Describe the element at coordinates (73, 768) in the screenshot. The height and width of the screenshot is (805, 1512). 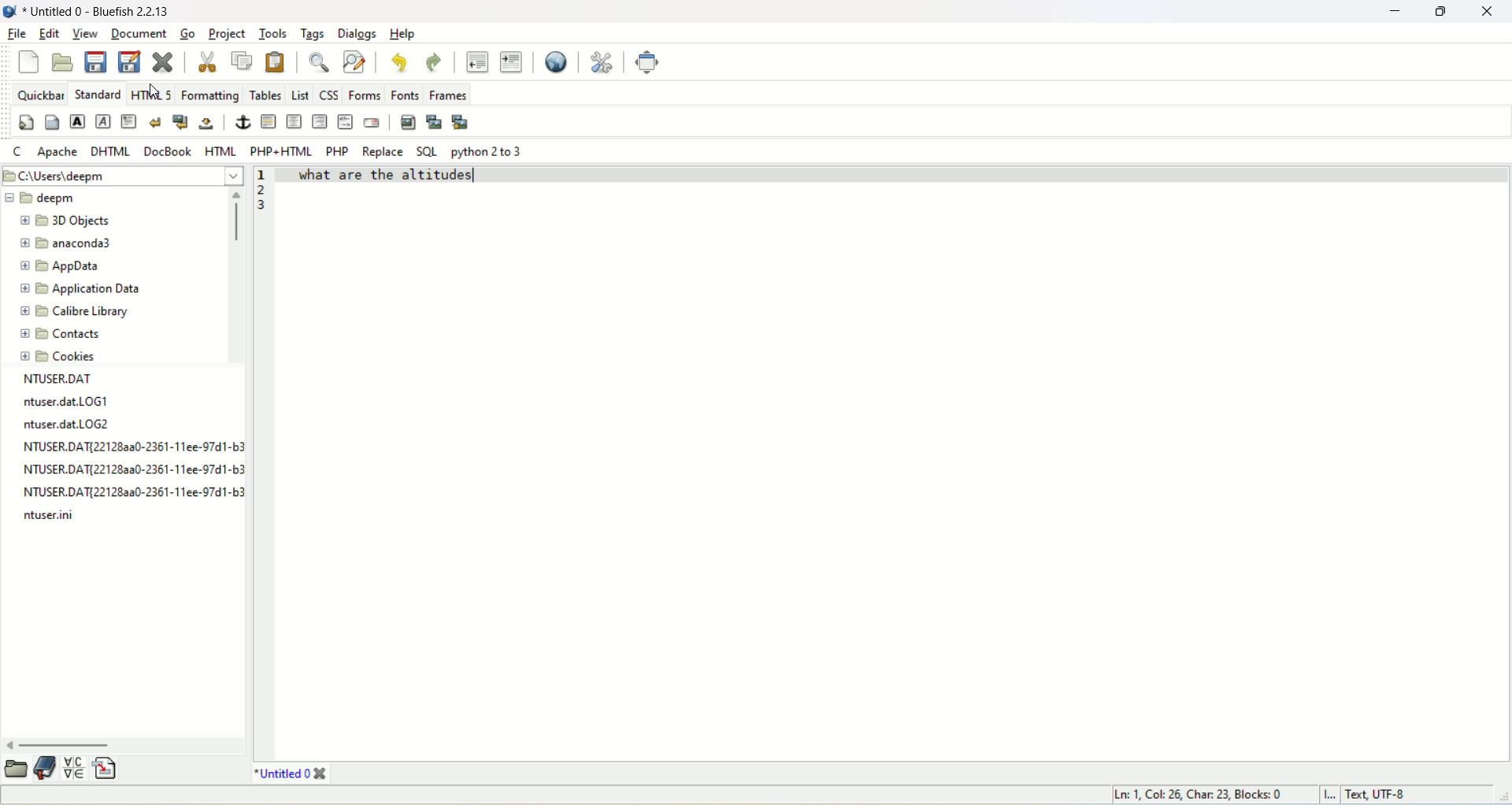
I see `insert special character` at that location.